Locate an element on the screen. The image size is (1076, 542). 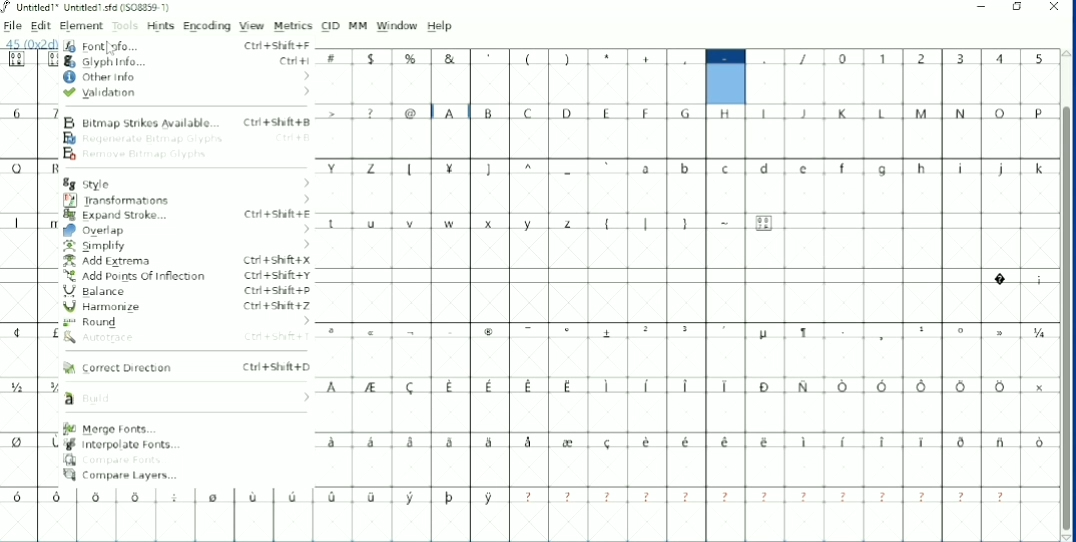
Transformations is located at coordinates (188, 200).